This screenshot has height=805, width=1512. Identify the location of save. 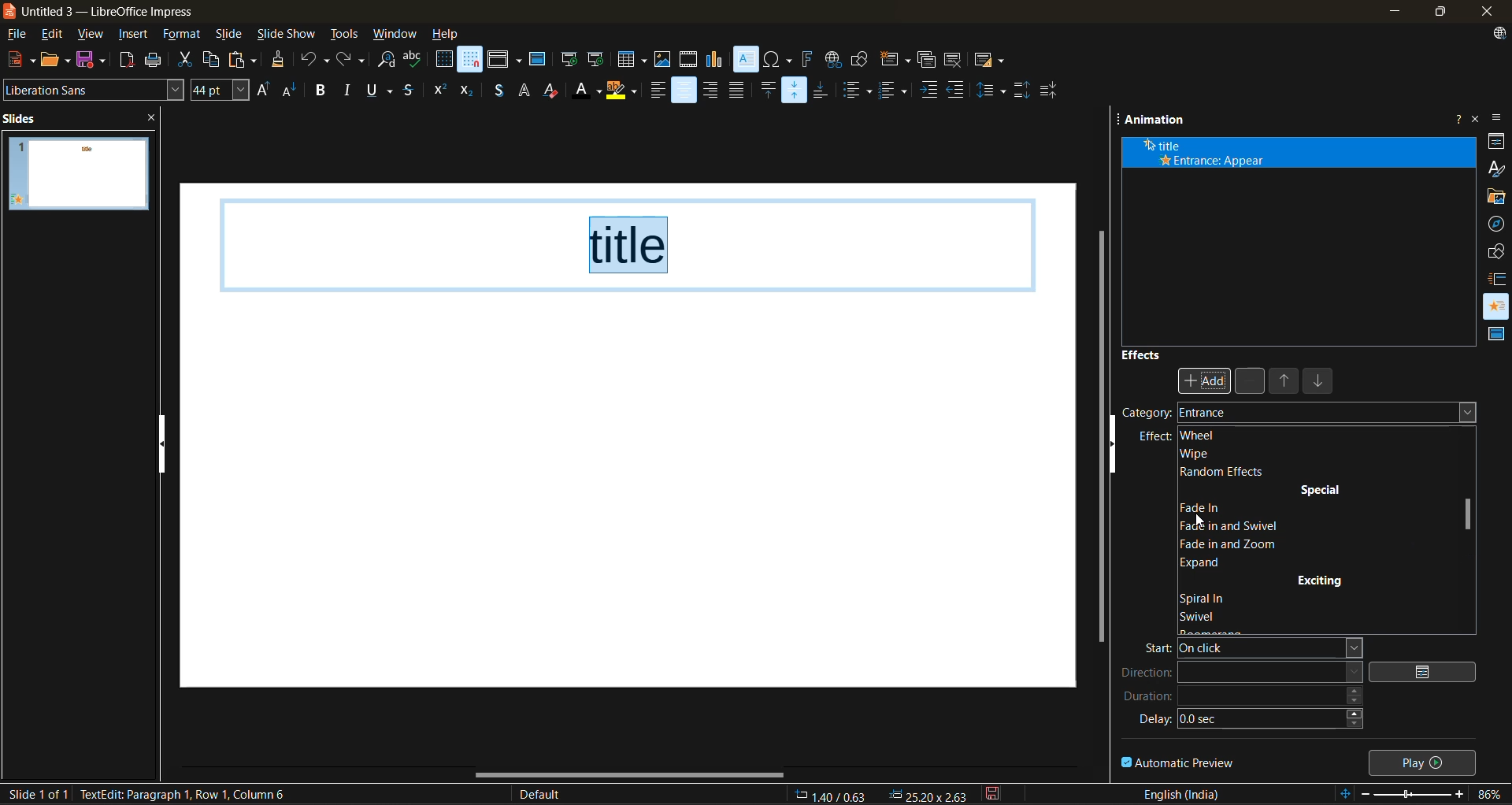
(93, 59).